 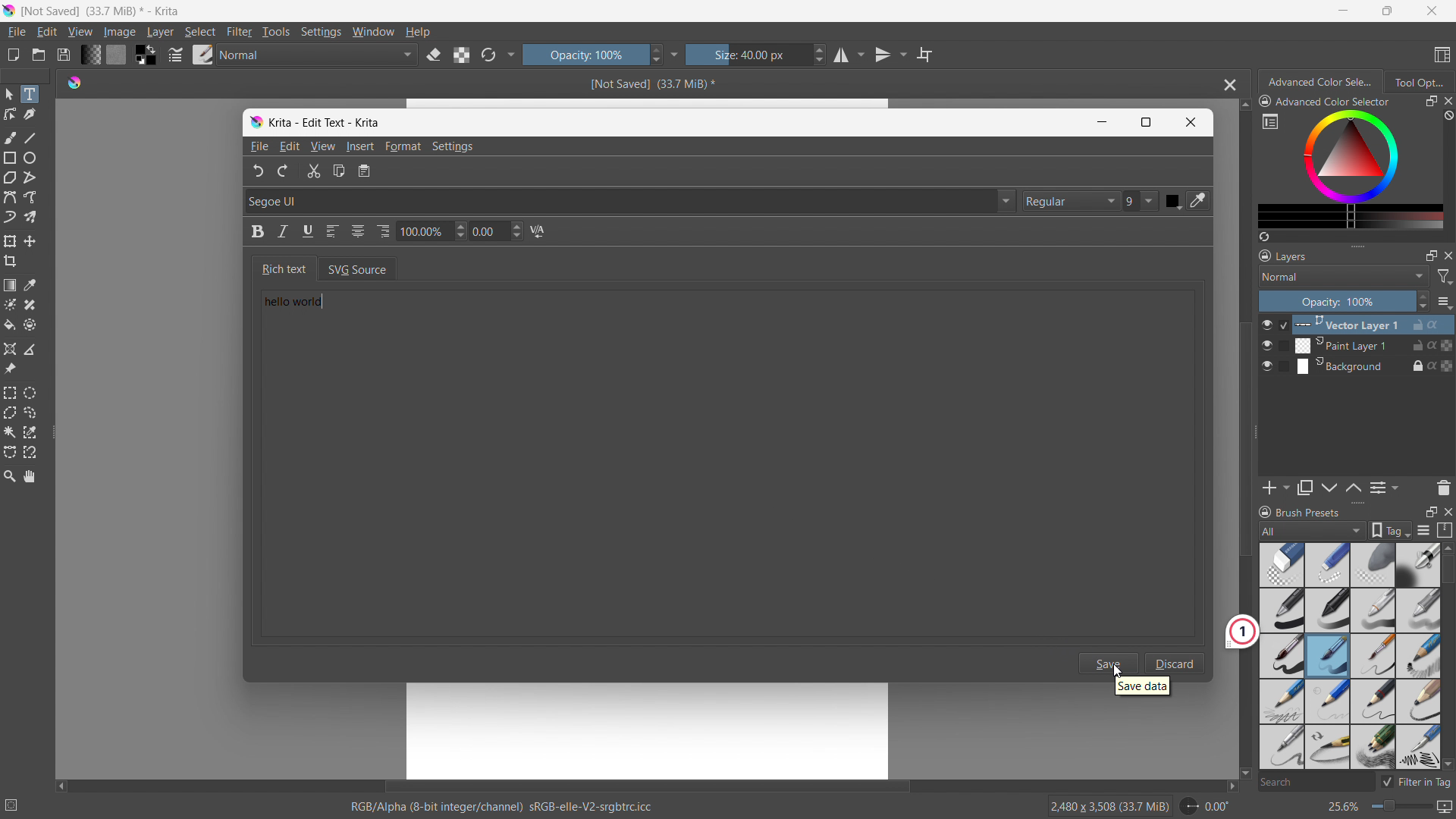 What do you see at coordinates (10, 178) in the screenshot?
I see `polygon tool` at bounding box center [10, 178].